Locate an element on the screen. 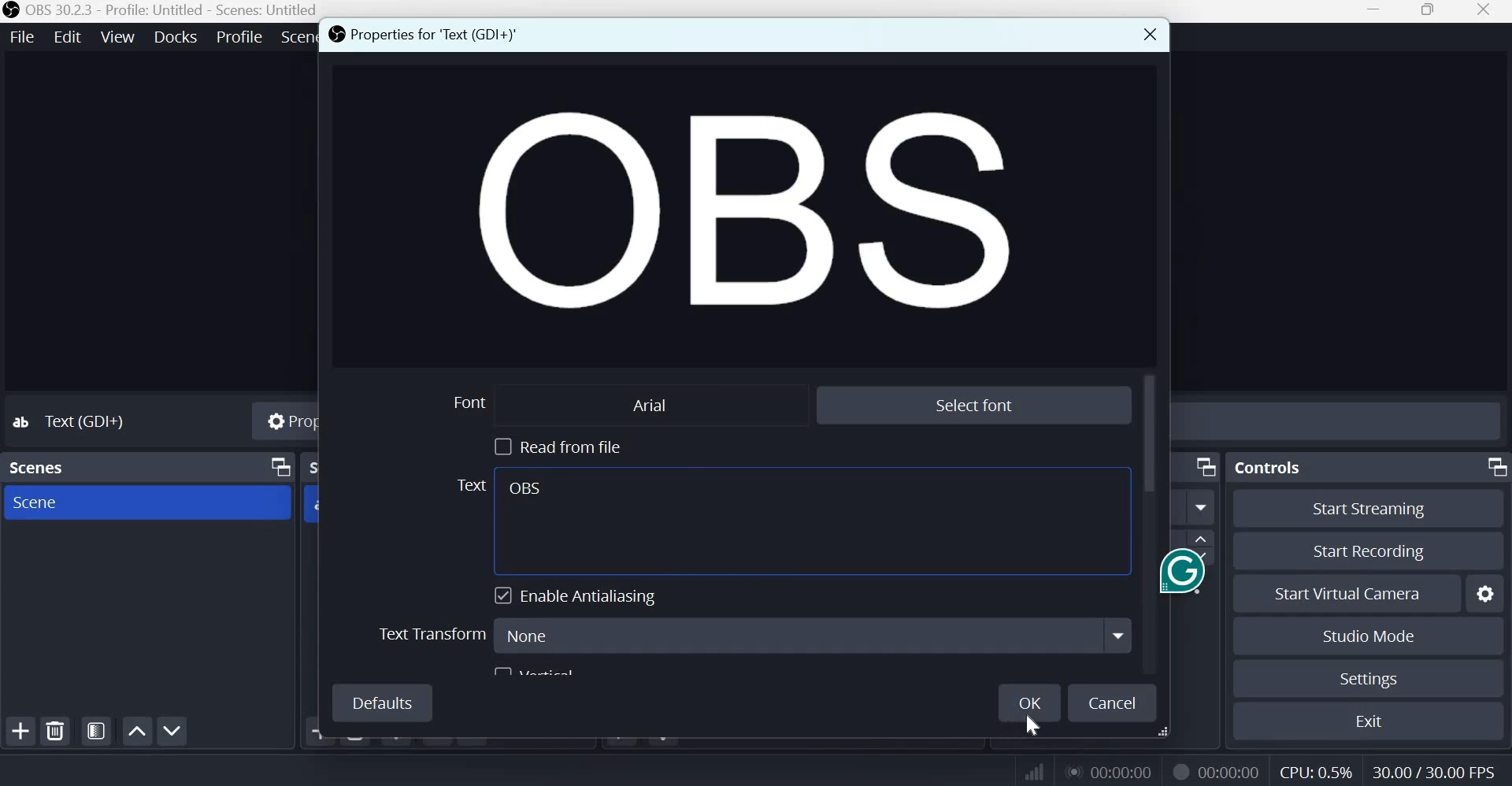 The image size is (1512, 786). Arial is located at coordinates (645, 404).